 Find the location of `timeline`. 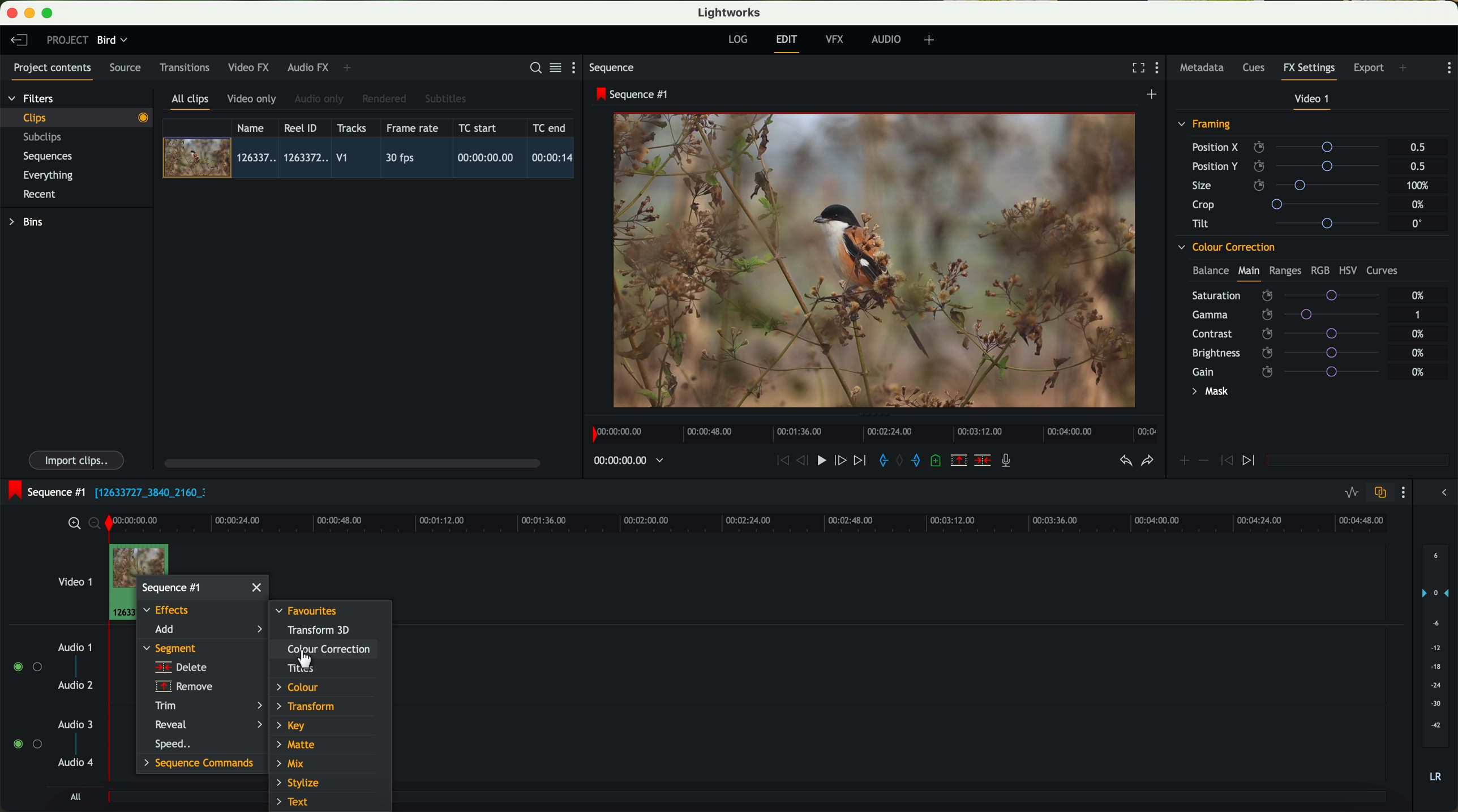

timeline is located at coordinates (871, 431).